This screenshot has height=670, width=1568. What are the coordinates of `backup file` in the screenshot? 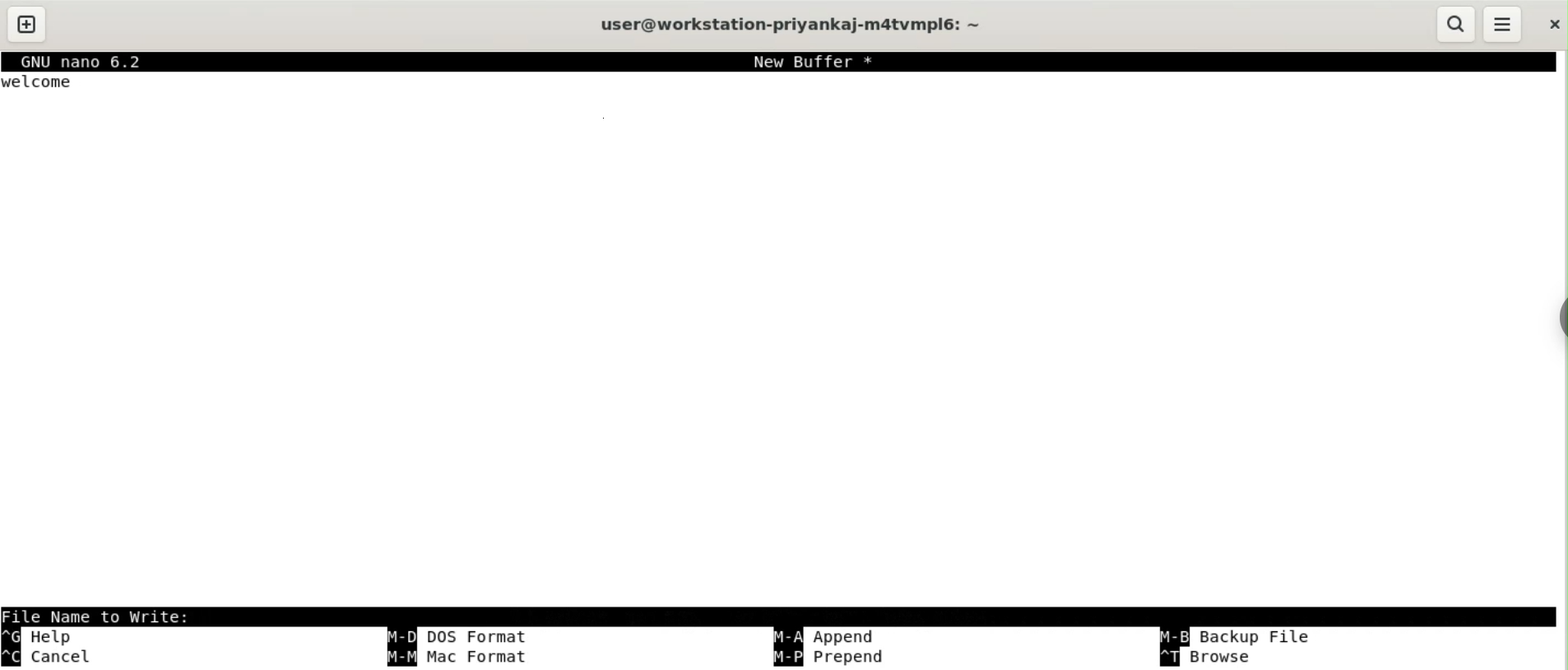 It's located at (1233, 636).